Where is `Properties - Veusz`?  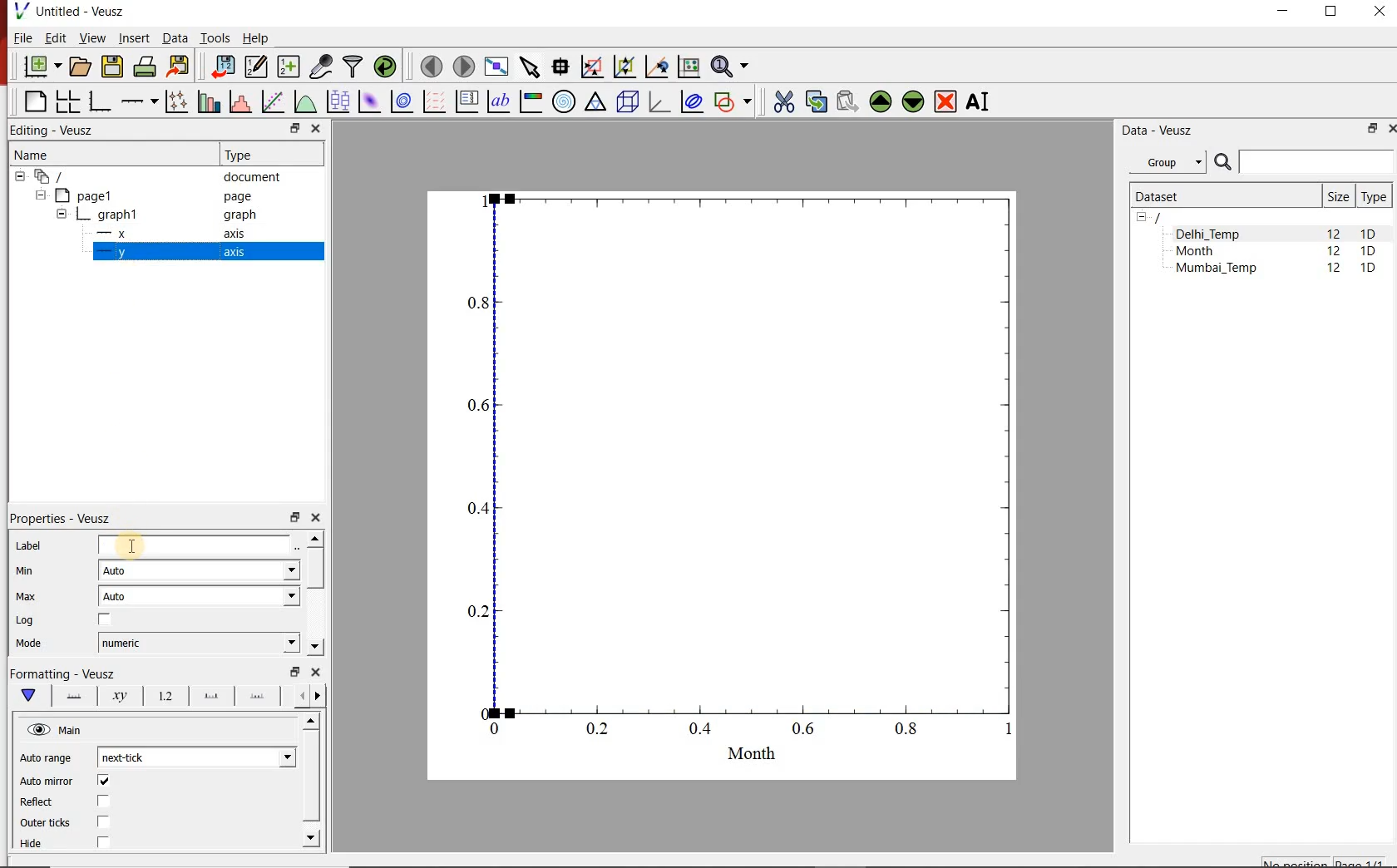 Properties - Veusz is located at coordinates (57, 519).